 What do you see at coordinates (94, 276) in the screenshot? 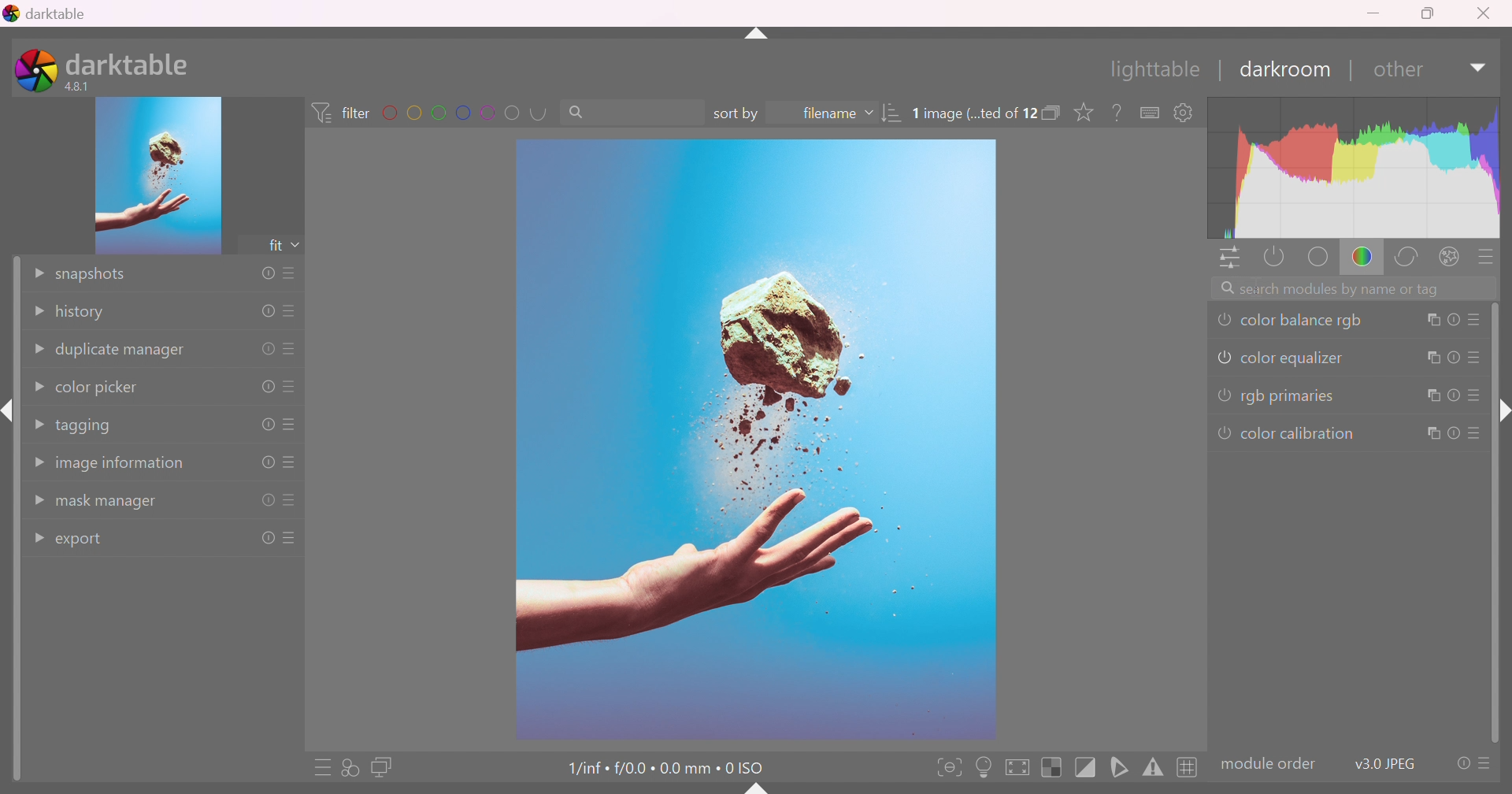
I see `snapshots` at bounding box center [94, 276].